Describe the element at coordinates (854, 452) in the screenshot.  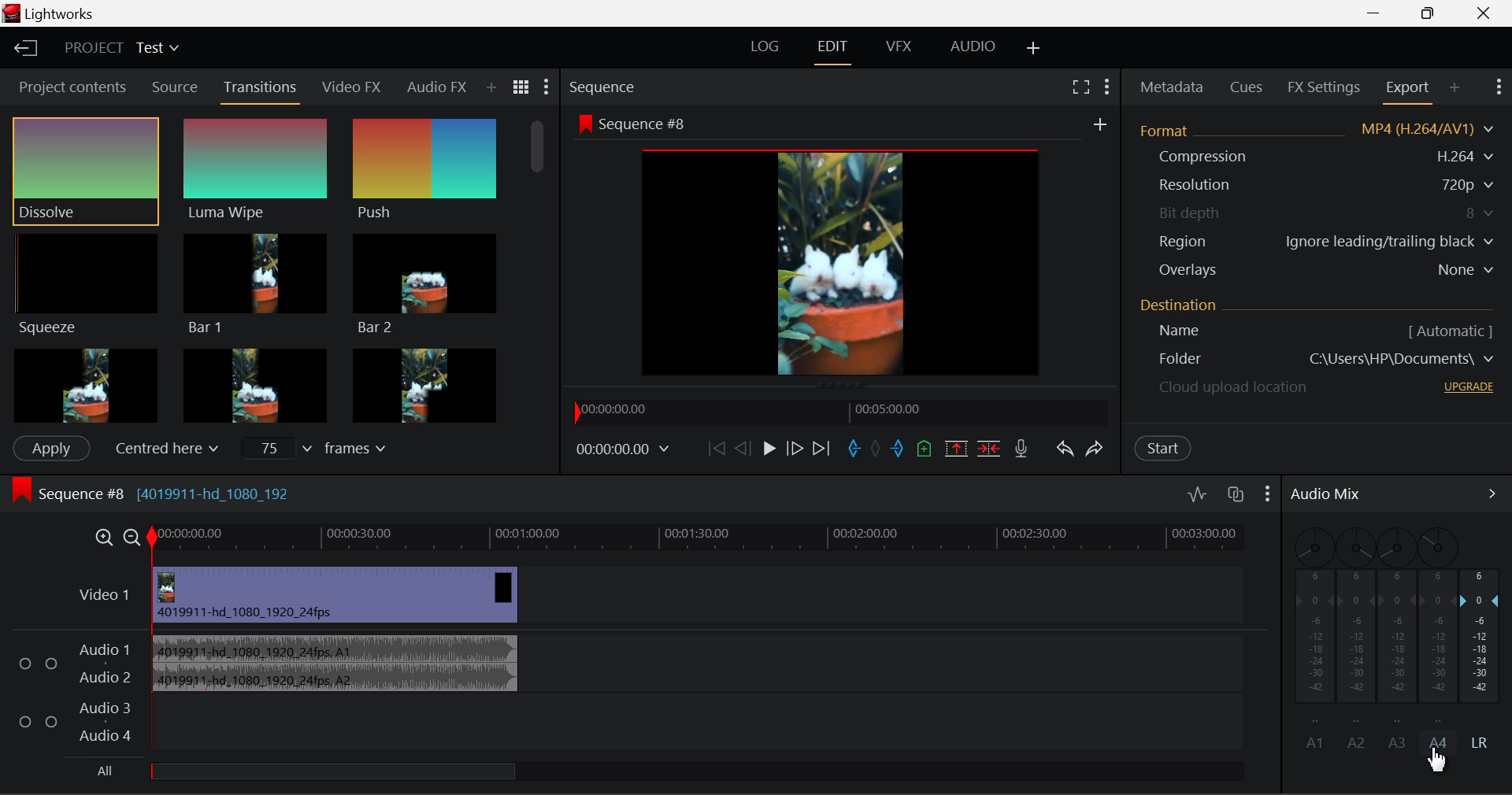
I see `Mark In` at that location.